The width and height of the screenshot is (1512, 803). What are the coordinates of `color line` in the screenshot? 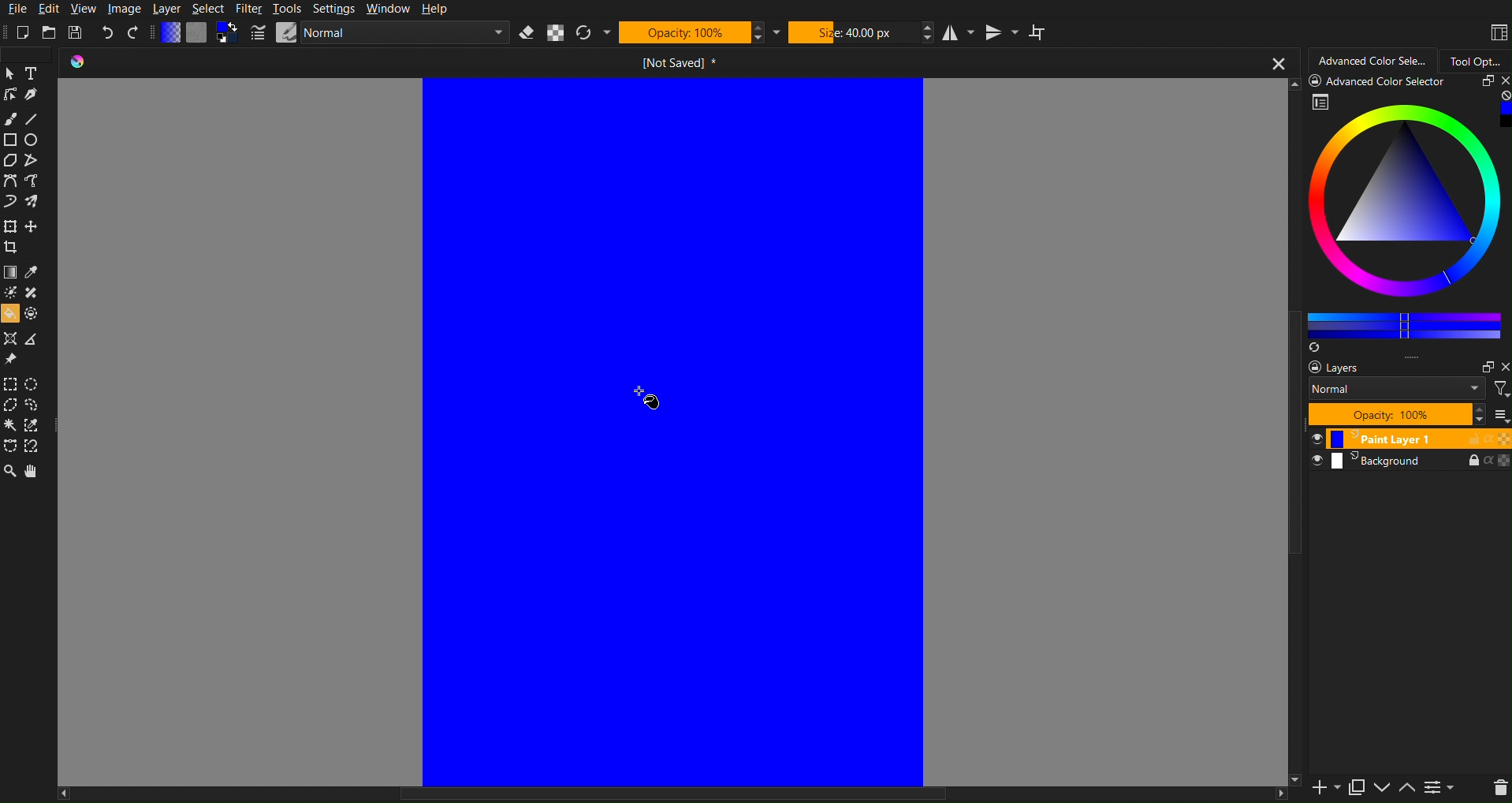 It's located at (1404, 323).